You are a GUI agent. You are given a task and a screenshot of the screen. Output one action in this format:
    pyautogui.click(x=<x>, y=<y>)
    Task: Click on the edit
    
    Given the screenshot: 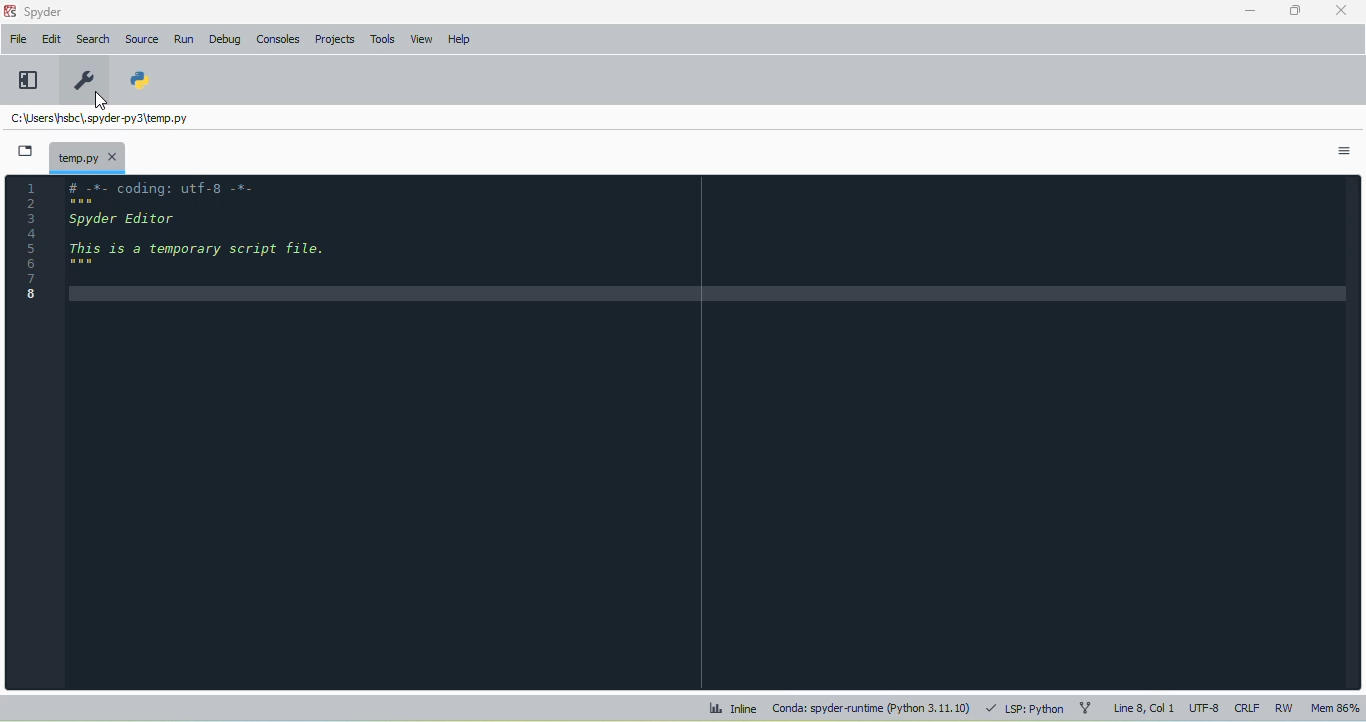 What is the action you would take?
    pyautogui.click(x=53, y=39)
    